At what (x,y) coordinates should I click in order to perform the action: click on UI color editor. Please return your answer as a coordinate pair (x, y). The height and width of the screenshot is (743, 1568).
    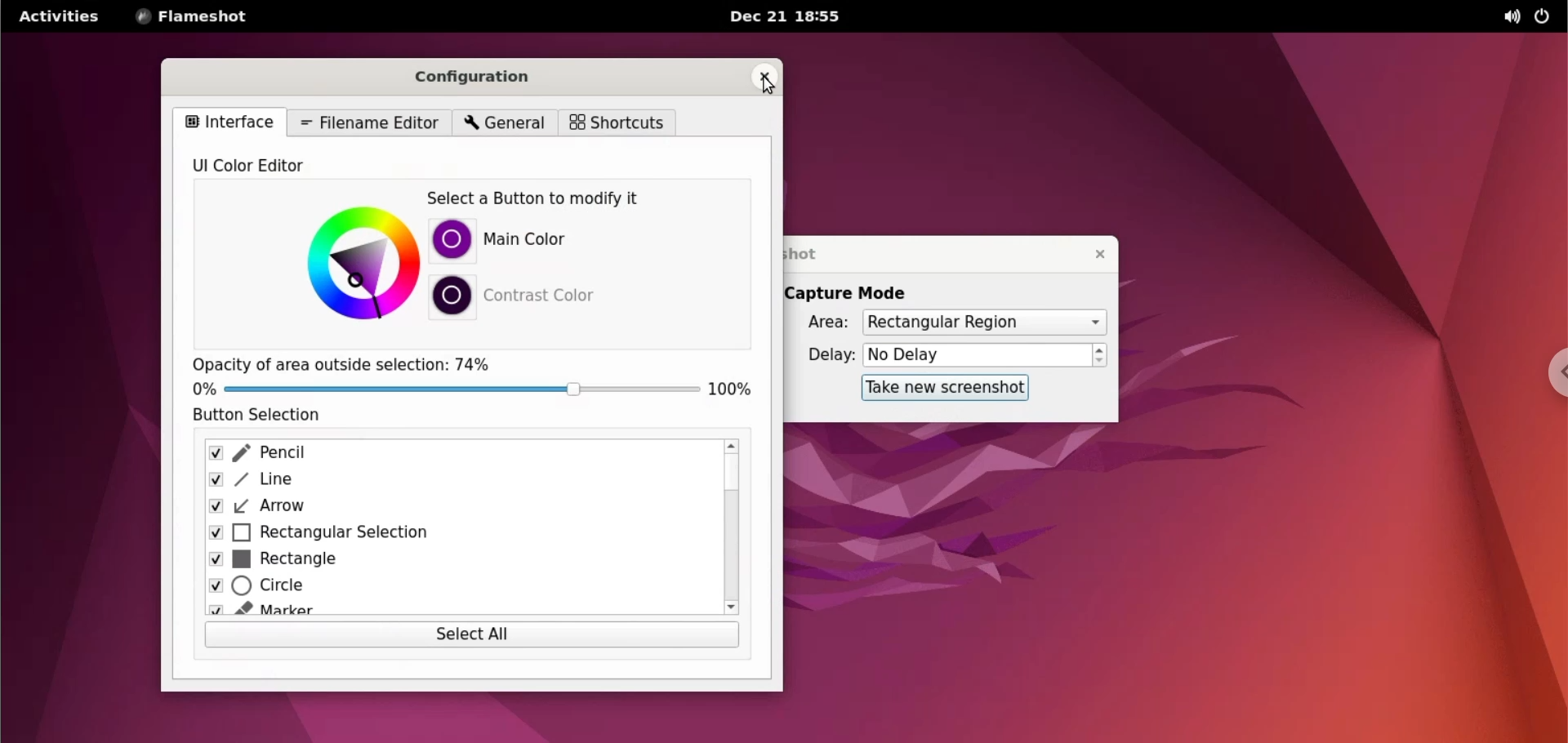
    Looking at the image, I should click on (271, 167).